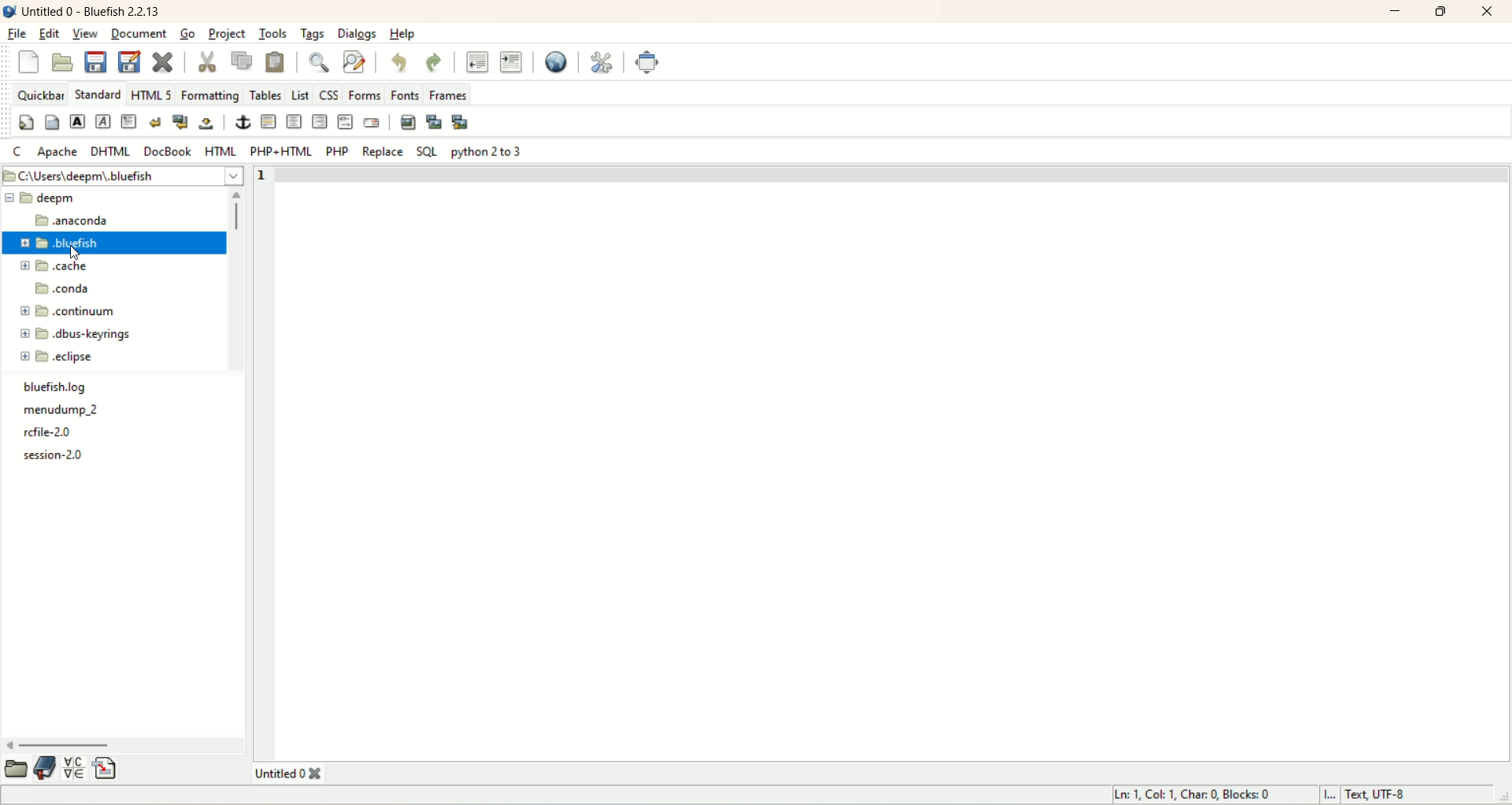  What do you see at coordinates (126, 176) in the screenshot?
I see `location` at bounding box center [126, 176].